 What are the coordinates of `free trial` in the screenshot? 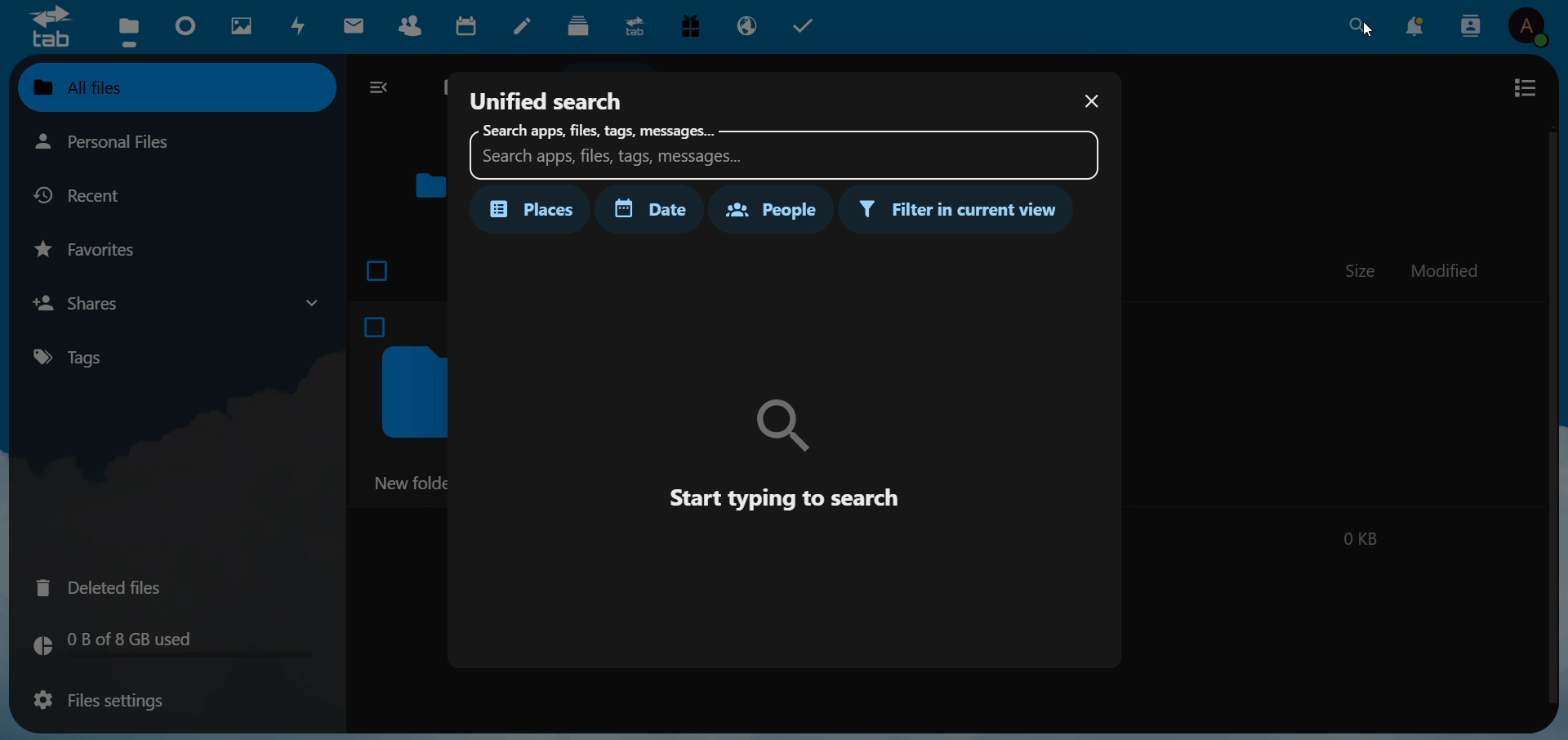 It's located at (695, 28).